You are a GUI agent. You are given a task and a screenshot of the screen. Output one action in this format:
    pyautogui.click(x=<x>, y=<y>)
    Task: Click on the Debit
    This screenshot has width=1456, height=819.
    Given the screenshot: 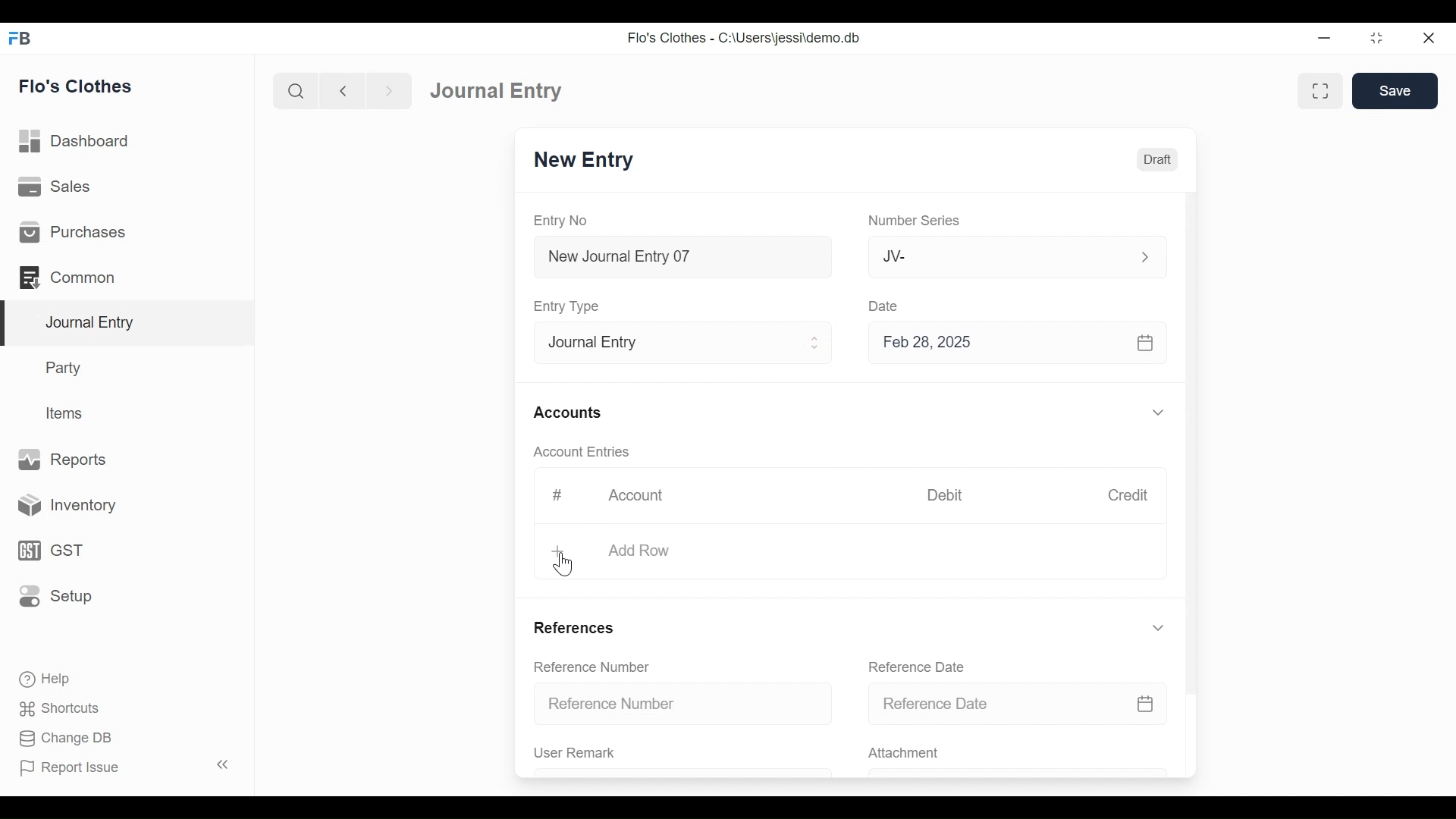 What is the action you would take?
    pyautogui.click(x=943, y=495)
    